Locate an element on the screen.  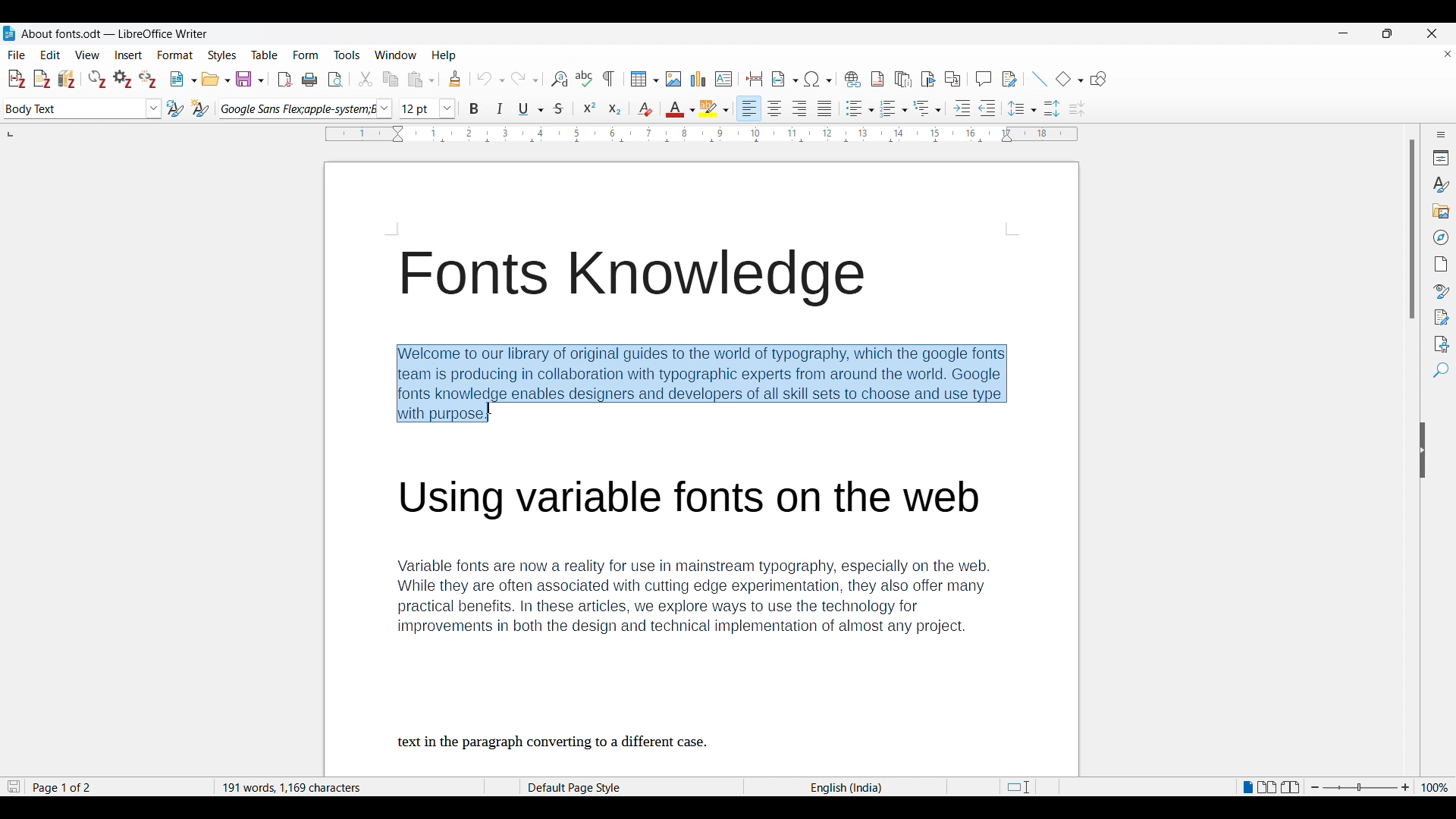
Justified alignment is located at coordinates (824, 108).